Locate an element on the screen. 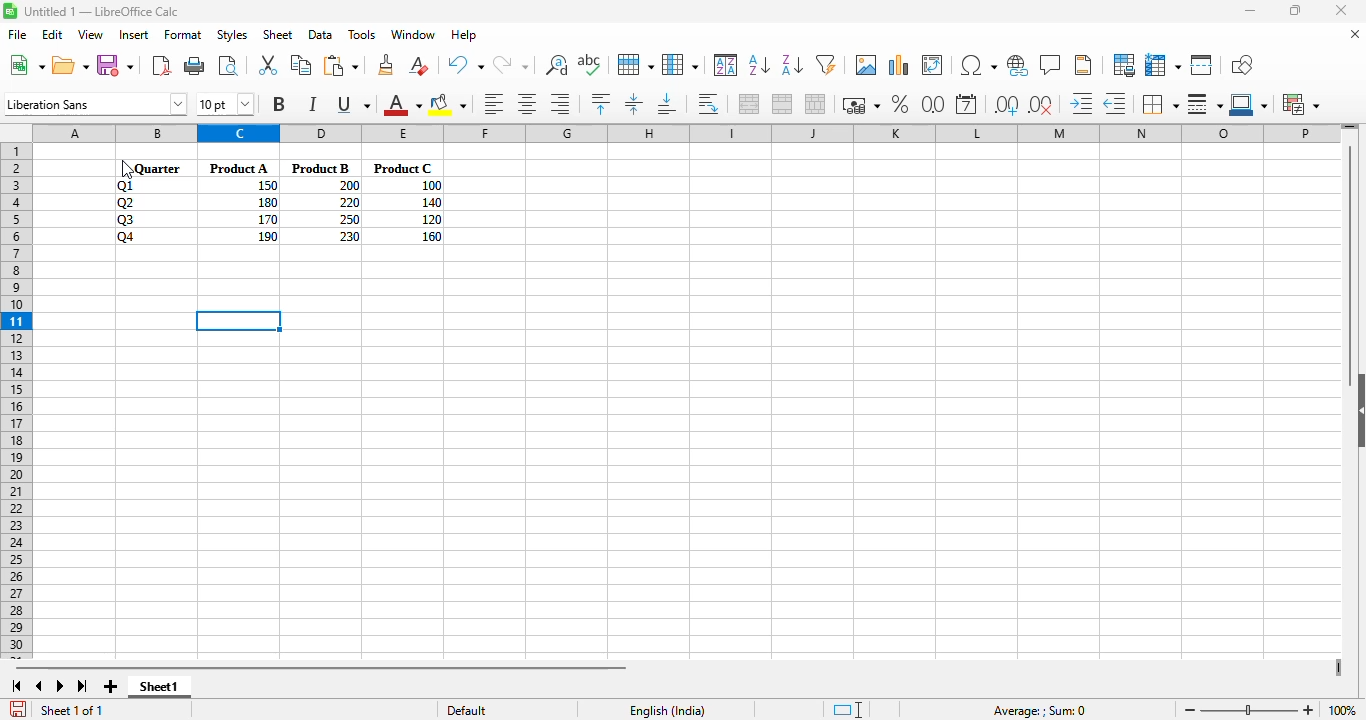 This screenshot has height=720, width=1366. 230 is located at coordinates (349, 237).